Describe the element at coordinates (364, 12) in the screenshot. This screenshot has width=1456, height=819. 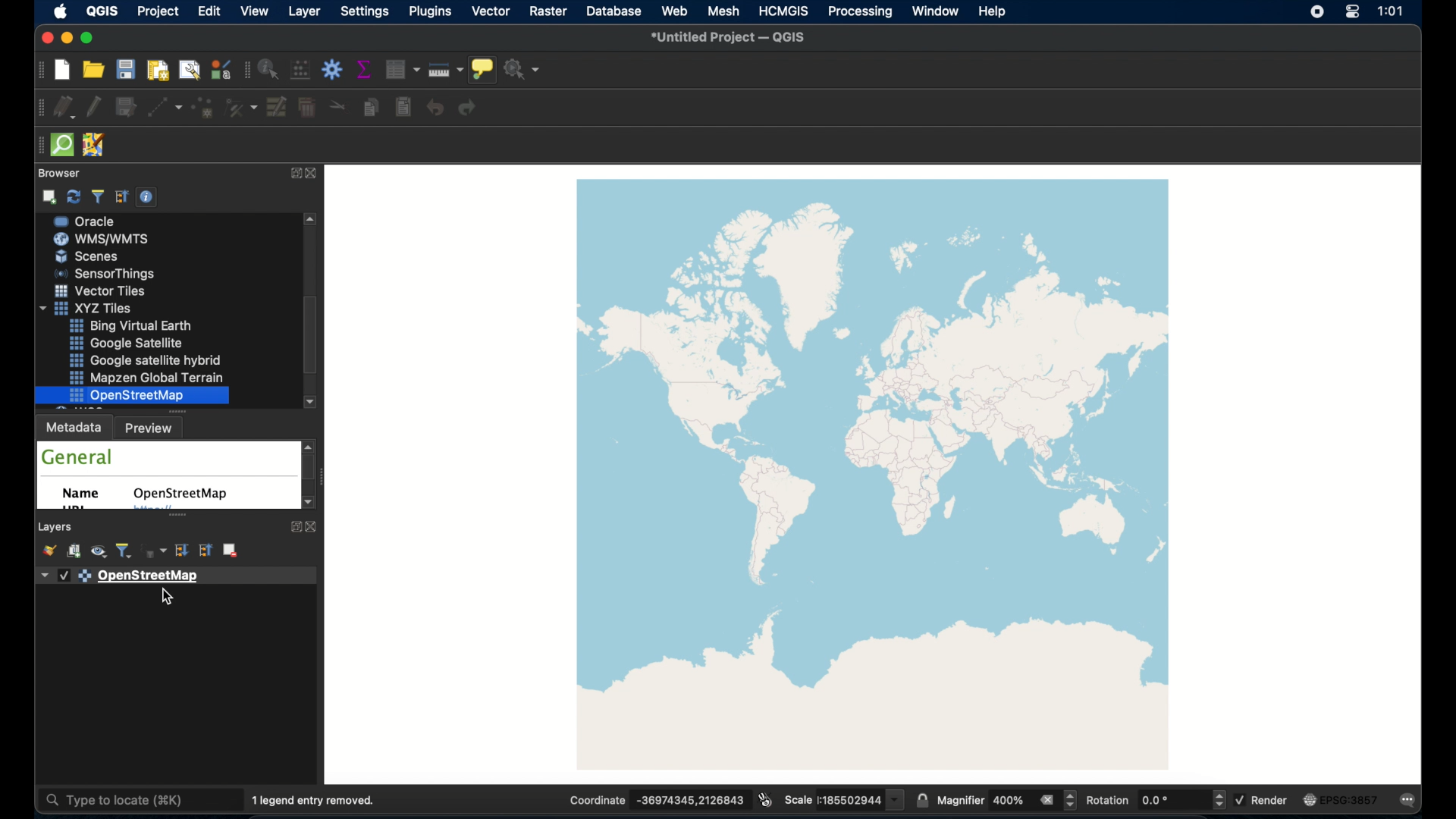
I see `settings` at that location.